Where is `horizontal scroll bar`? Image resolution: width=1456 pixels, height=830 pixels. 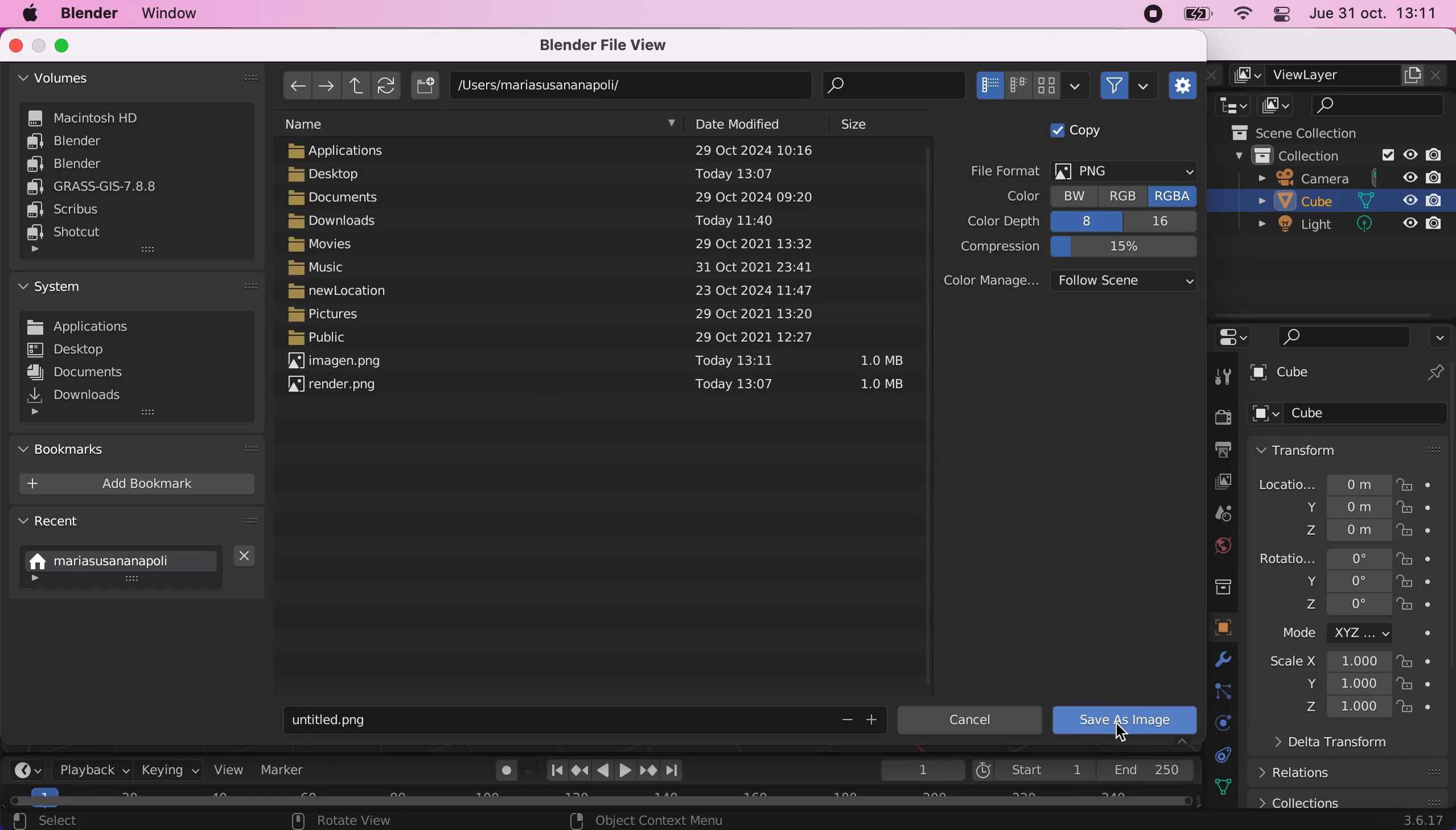 horizontal scroll bar is located at coordinates (607, 798).